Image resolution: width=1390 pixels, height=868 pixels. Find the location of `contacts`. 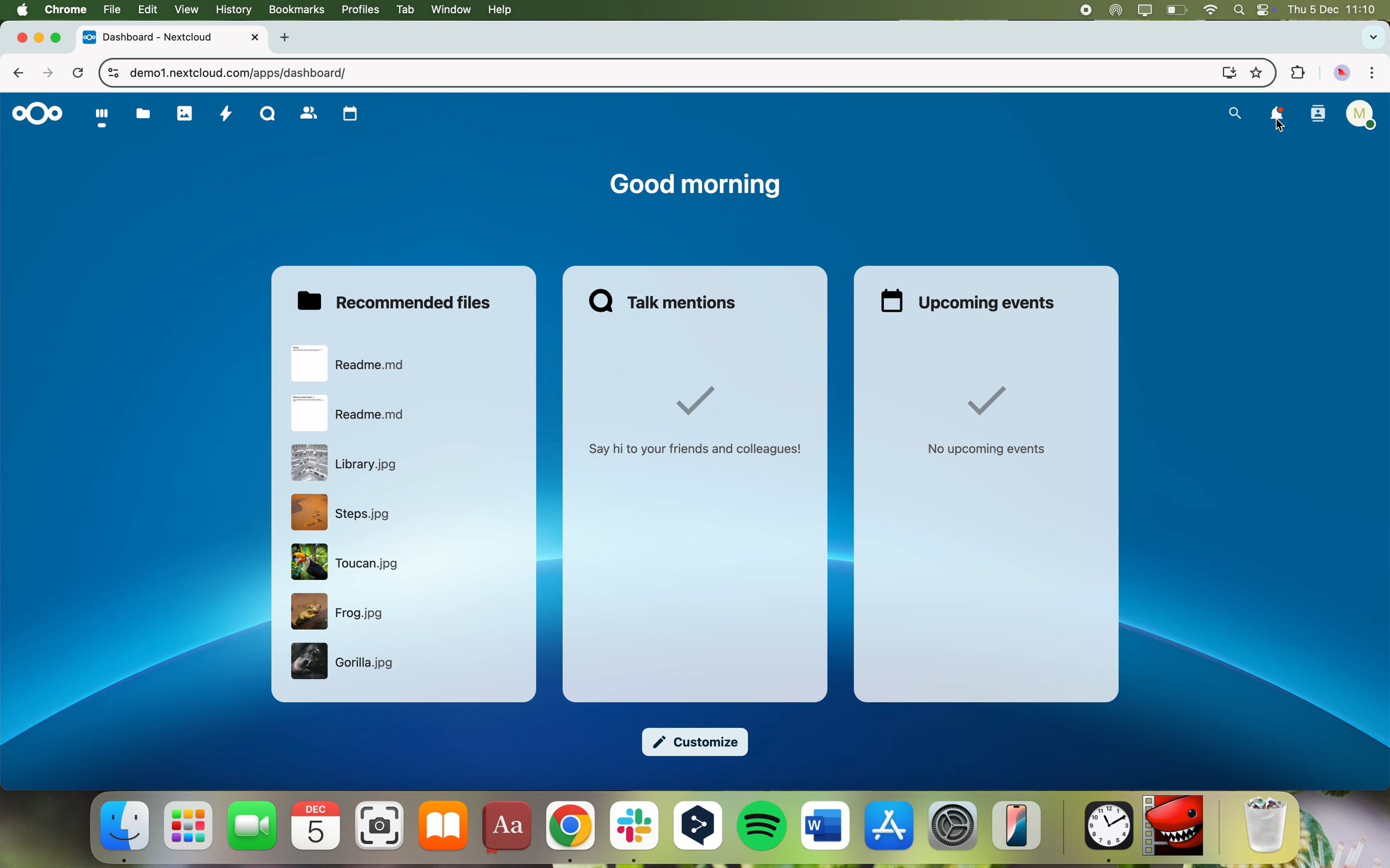

contacts is located at coordinates (308, 114).